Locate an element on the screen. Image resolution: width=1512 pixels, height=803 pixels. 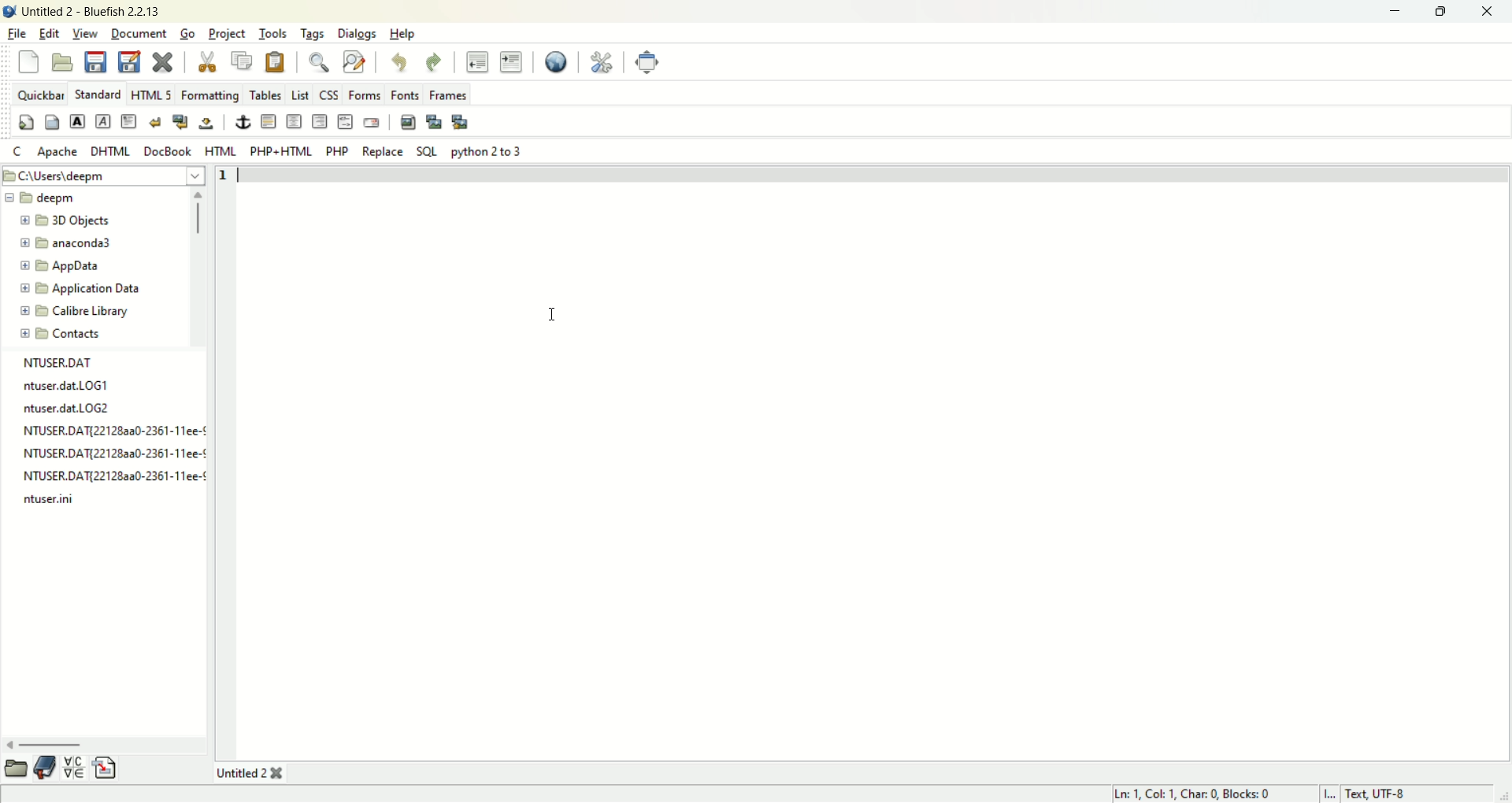
tables is located at coordinates (264, 94).